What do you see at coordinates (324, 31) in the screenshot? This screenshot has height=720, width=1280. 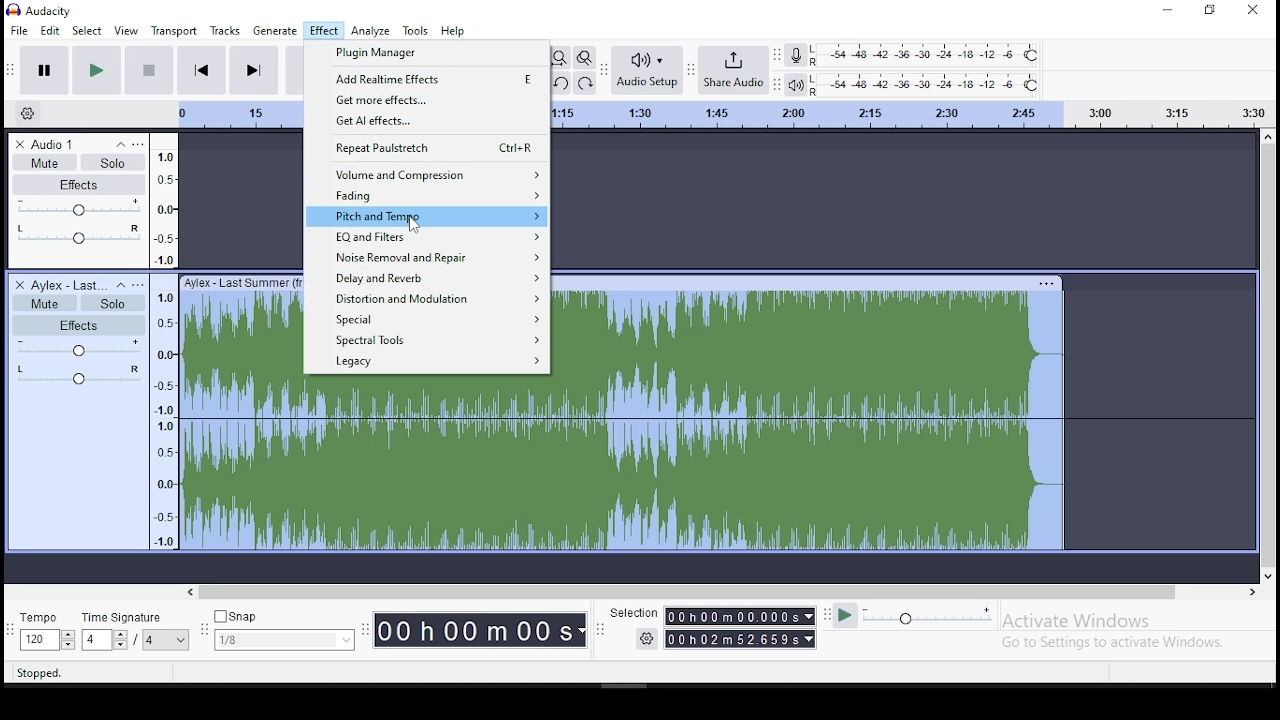 I see `effect` at bounding box center [324, 31].